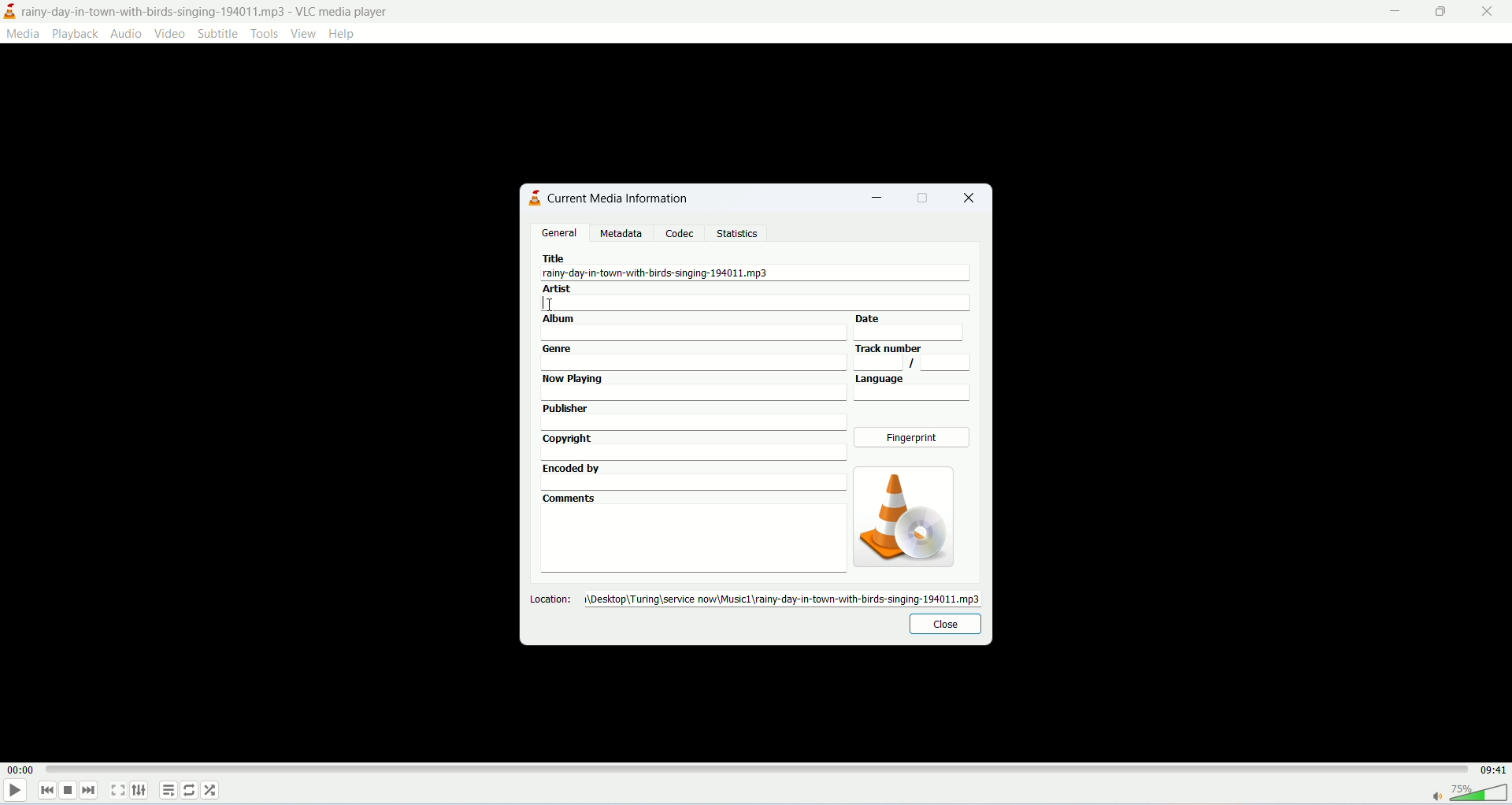 The height and width of the screenshot is (805, 1512). I want to click on maximize, so click(1442, 14).